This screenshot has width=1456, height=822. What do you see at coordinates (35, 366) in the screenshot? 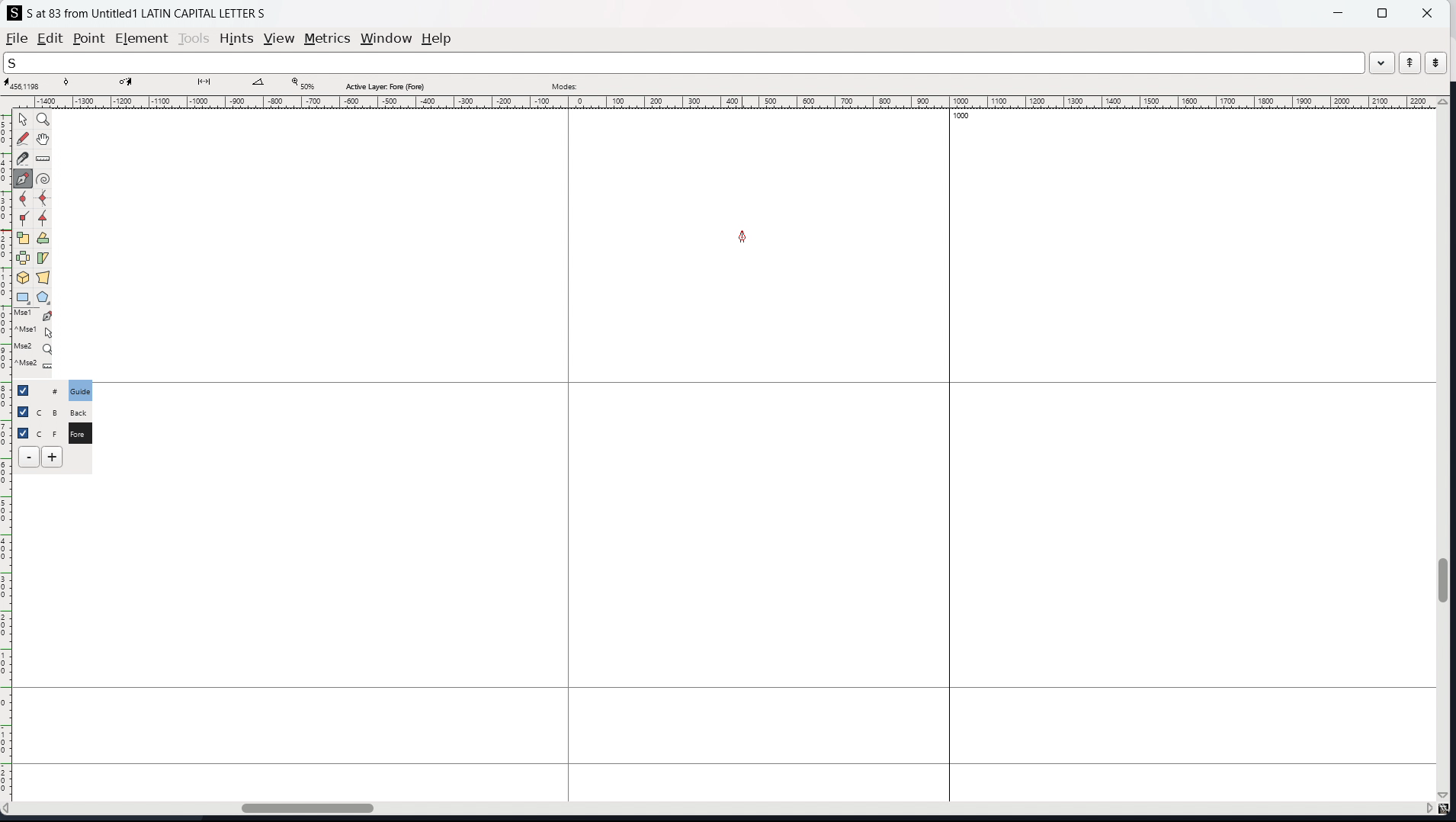
I see `^Mse2` at bounding box center [35, 366].